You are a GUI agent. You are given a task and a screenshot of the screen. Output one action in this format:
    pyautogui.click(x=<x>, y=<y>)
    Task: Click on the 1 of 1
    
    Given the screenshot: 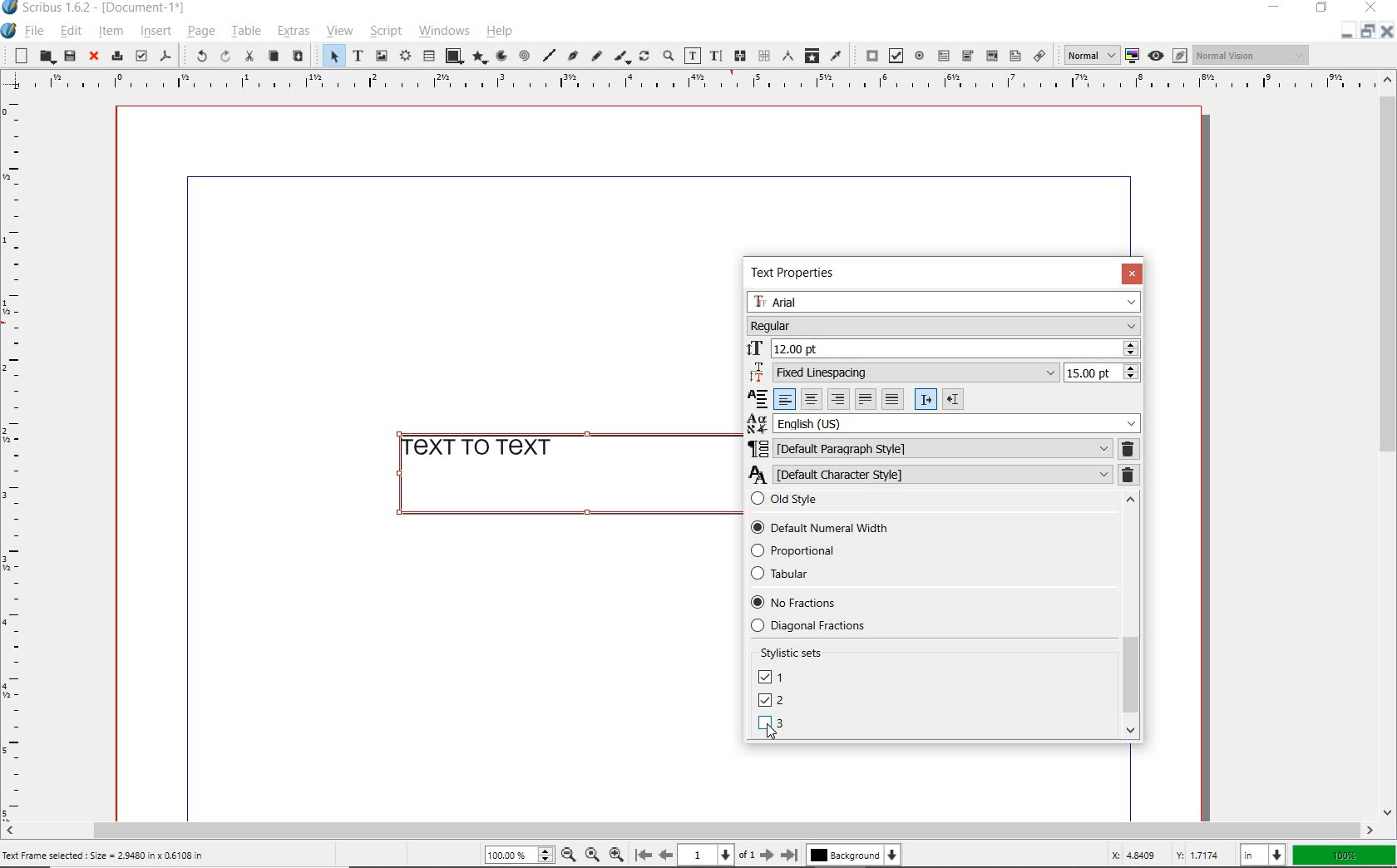 What is the action you would take?
    pyautogui.click(x=716, y=855)
    